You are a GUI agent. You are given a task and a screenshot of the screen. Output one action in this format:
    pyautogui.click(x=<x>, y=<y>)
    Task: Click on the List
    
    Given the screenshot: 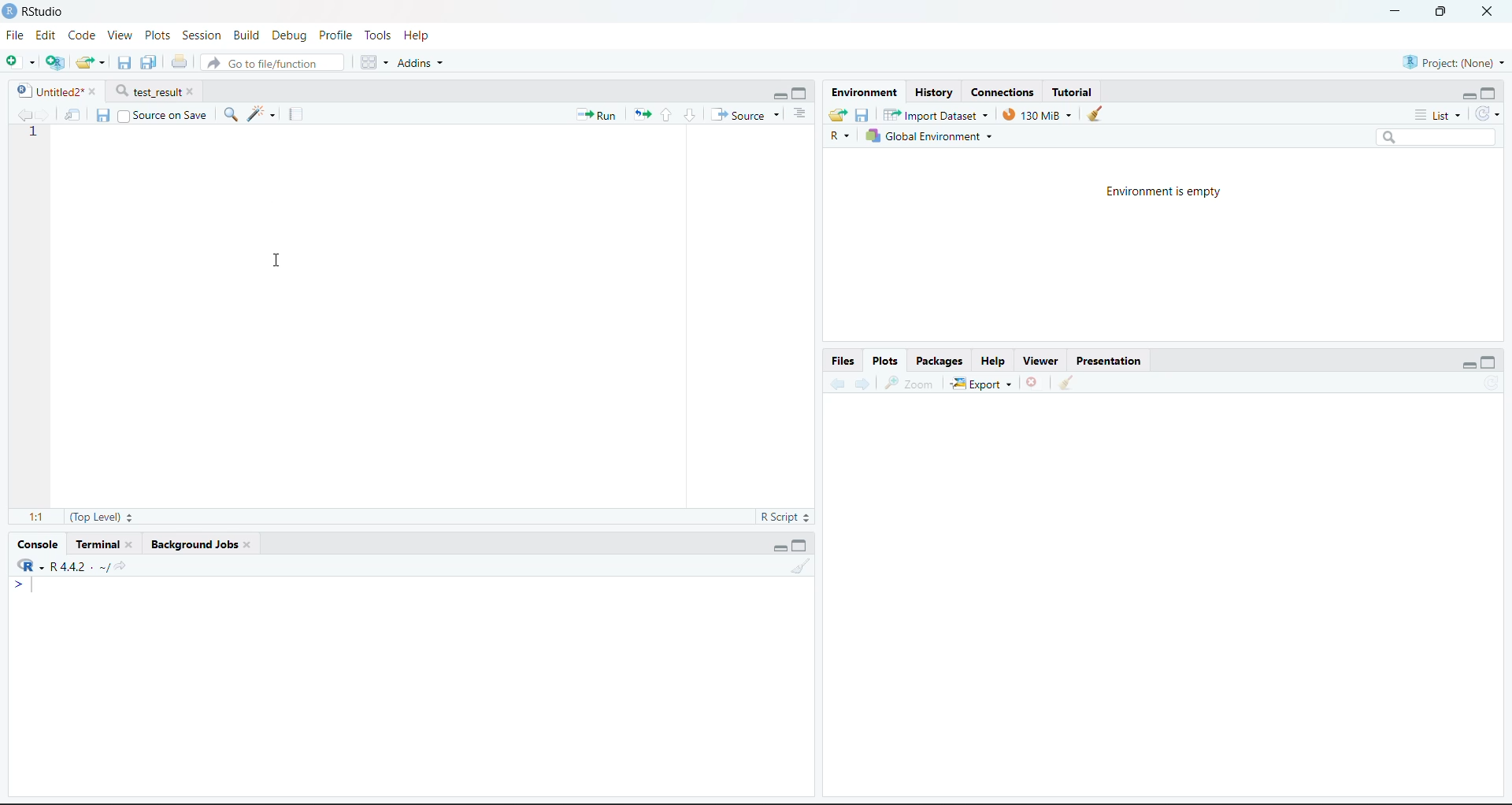 What is the action you would take?
    pyautogui.click(x=1437, y=114)
    